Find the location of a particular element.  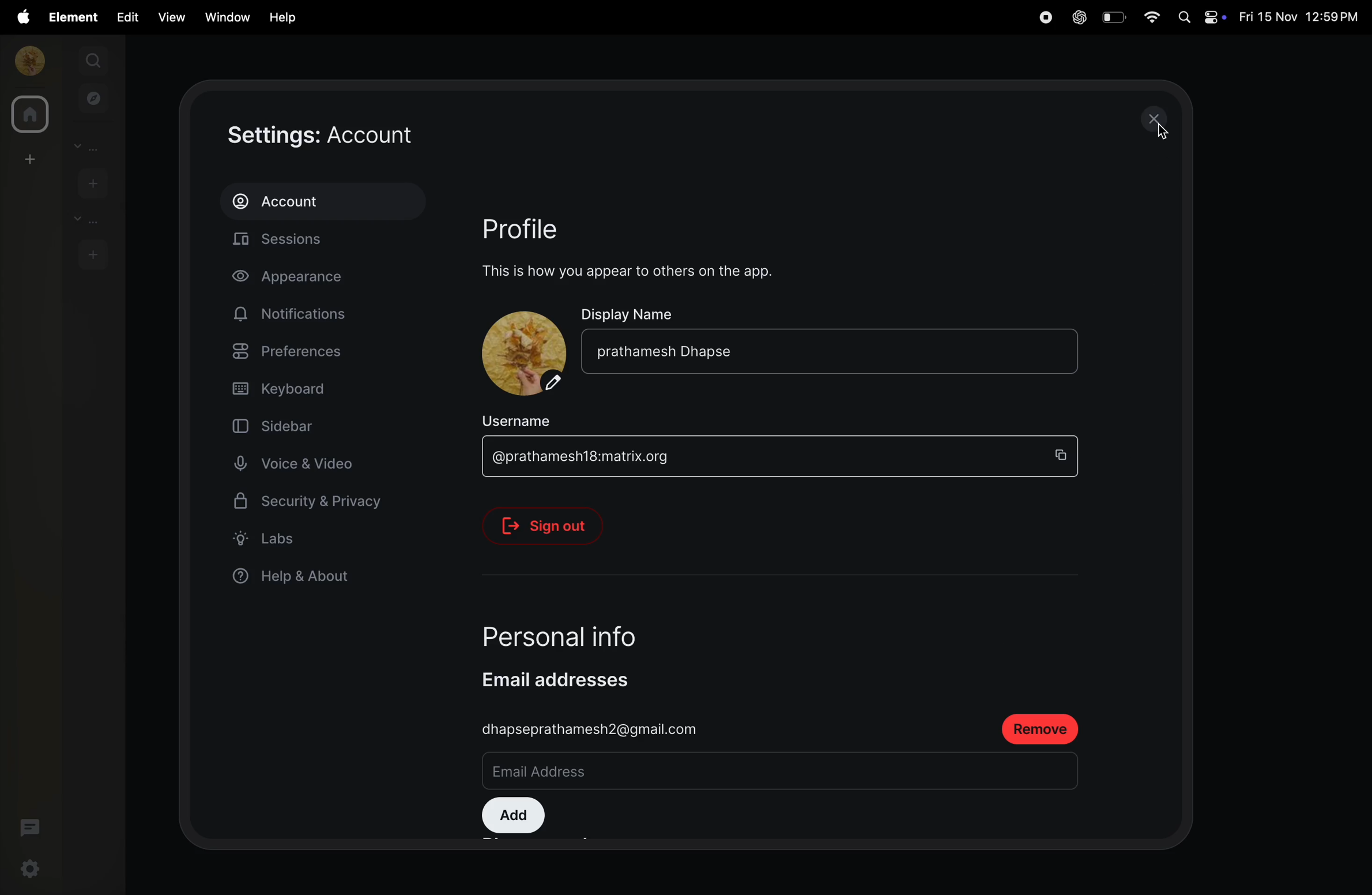

personal info is located at coordinates (587, 631).